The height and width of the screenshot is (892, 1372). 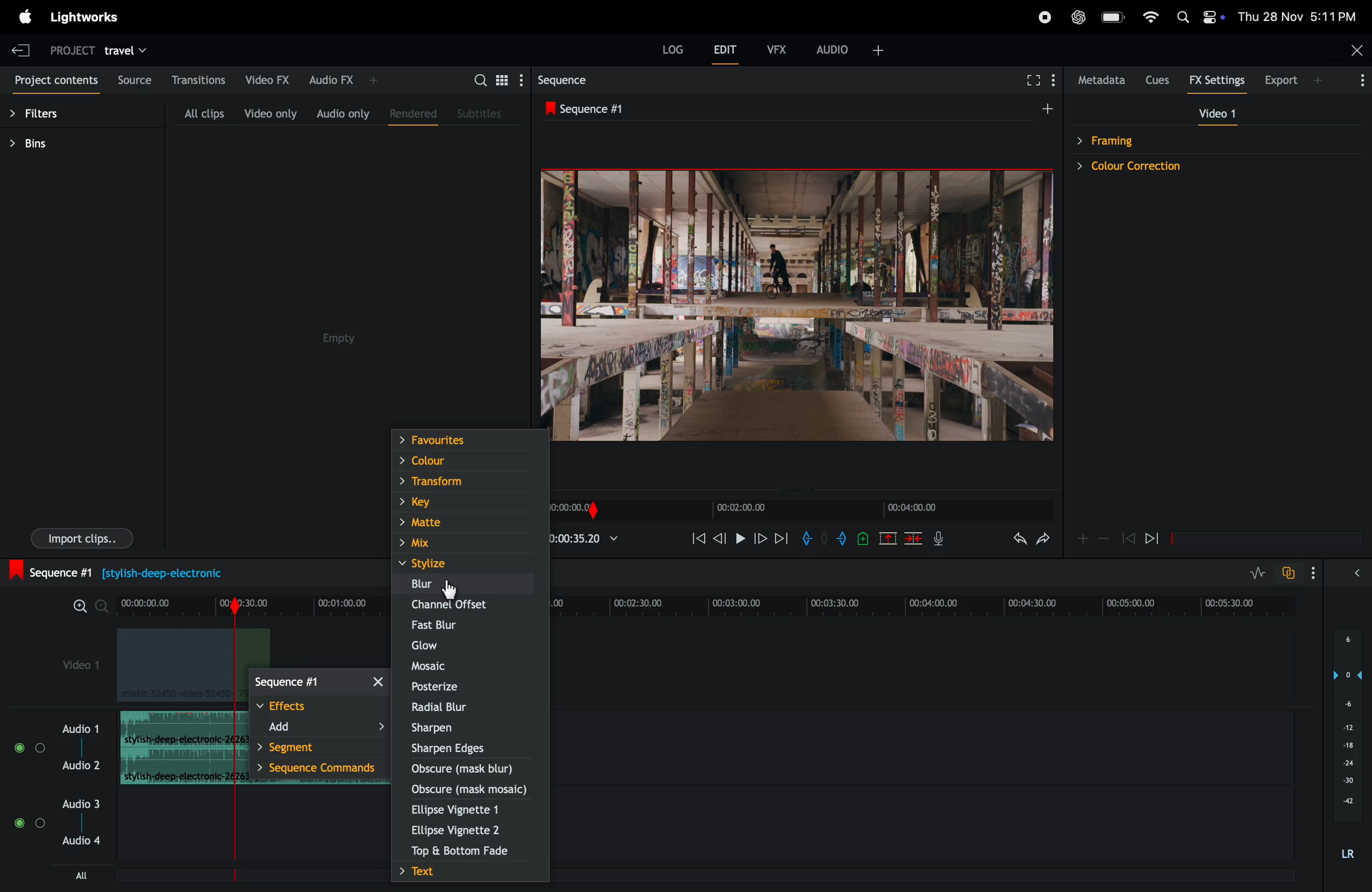 I want to click on battery, so click(x=1114, y=16).